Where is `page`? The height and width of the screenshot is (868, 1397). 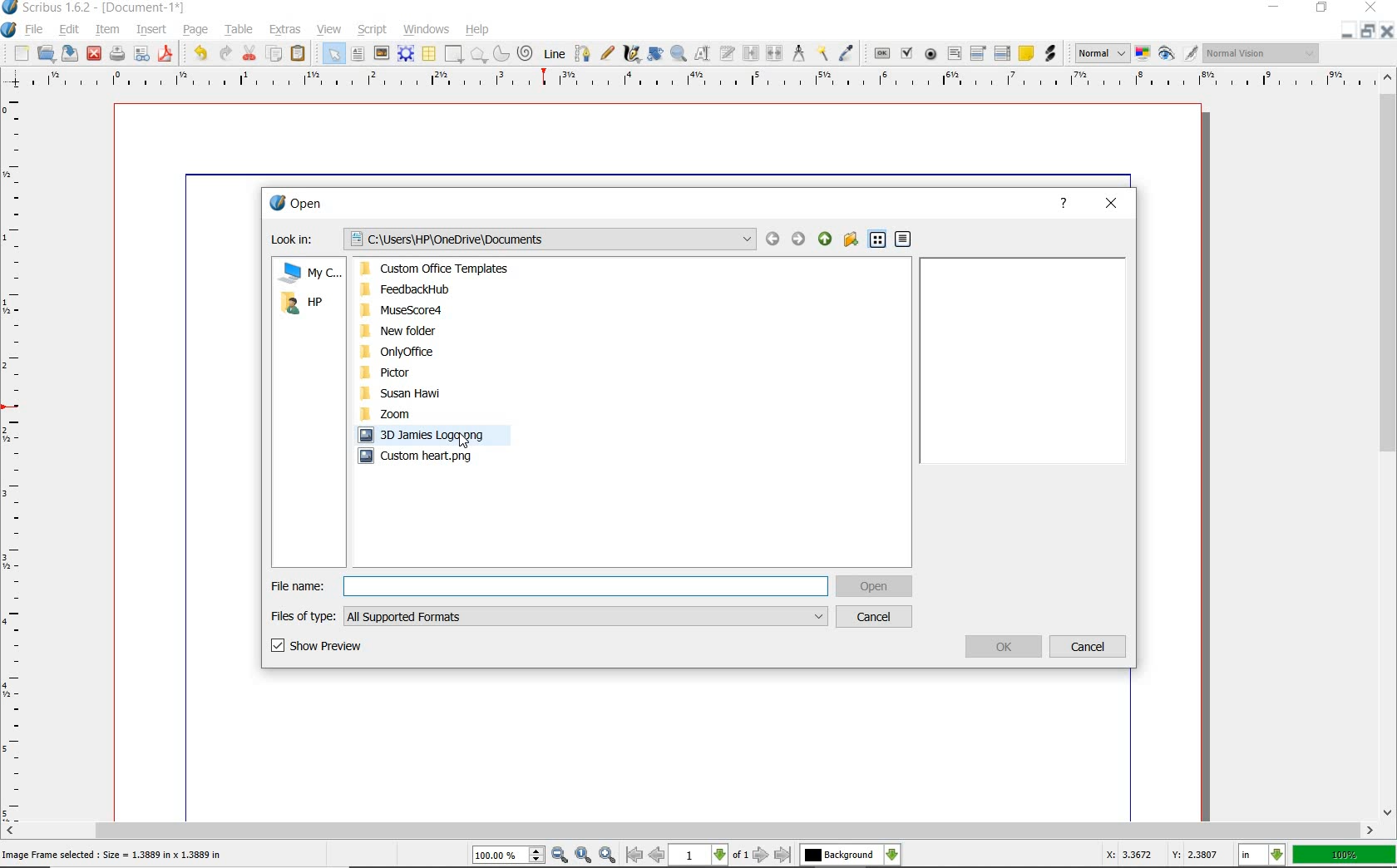
page is located at coordinates (196, 30).